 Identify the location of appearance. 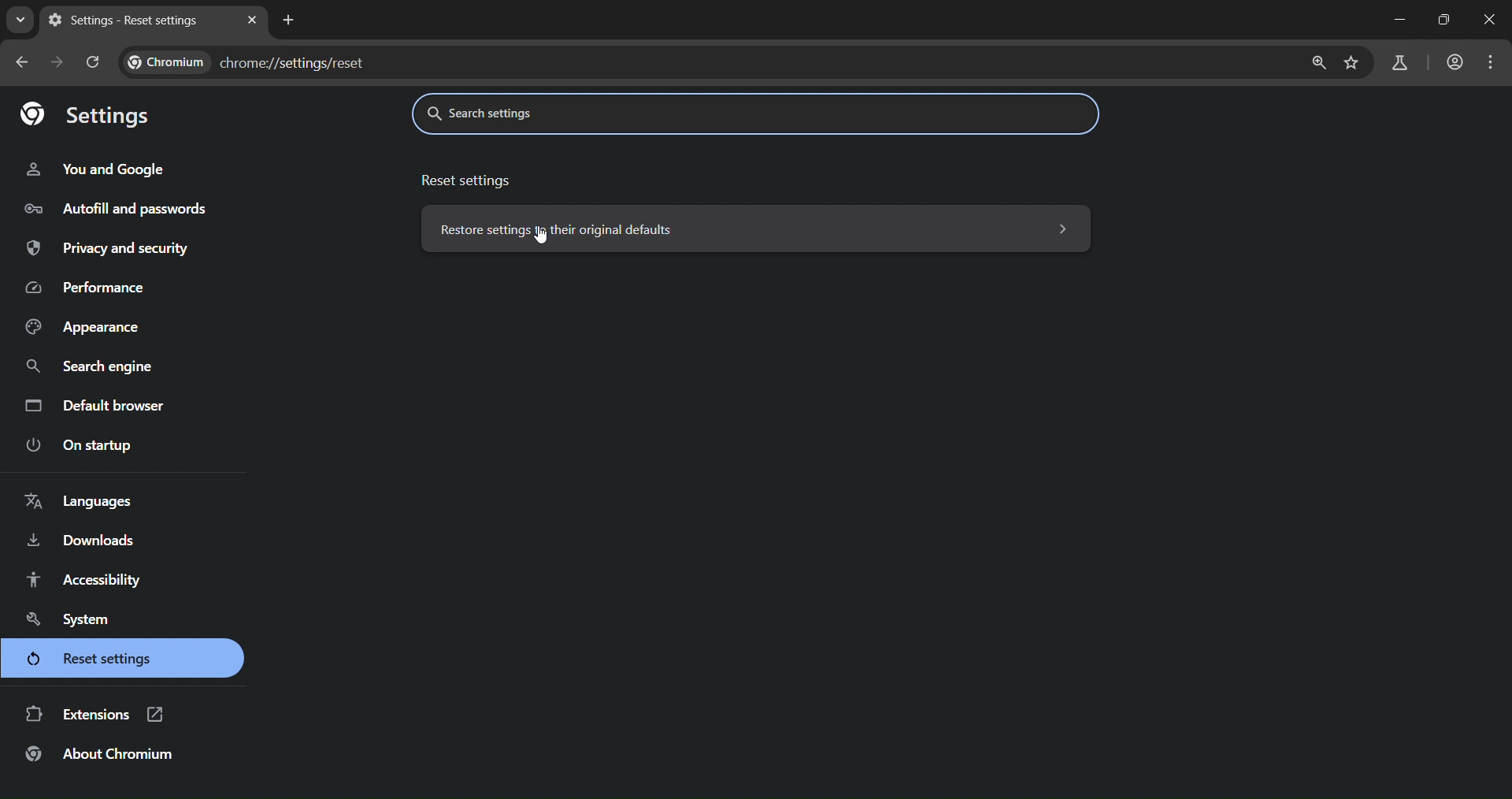
(85, 326).